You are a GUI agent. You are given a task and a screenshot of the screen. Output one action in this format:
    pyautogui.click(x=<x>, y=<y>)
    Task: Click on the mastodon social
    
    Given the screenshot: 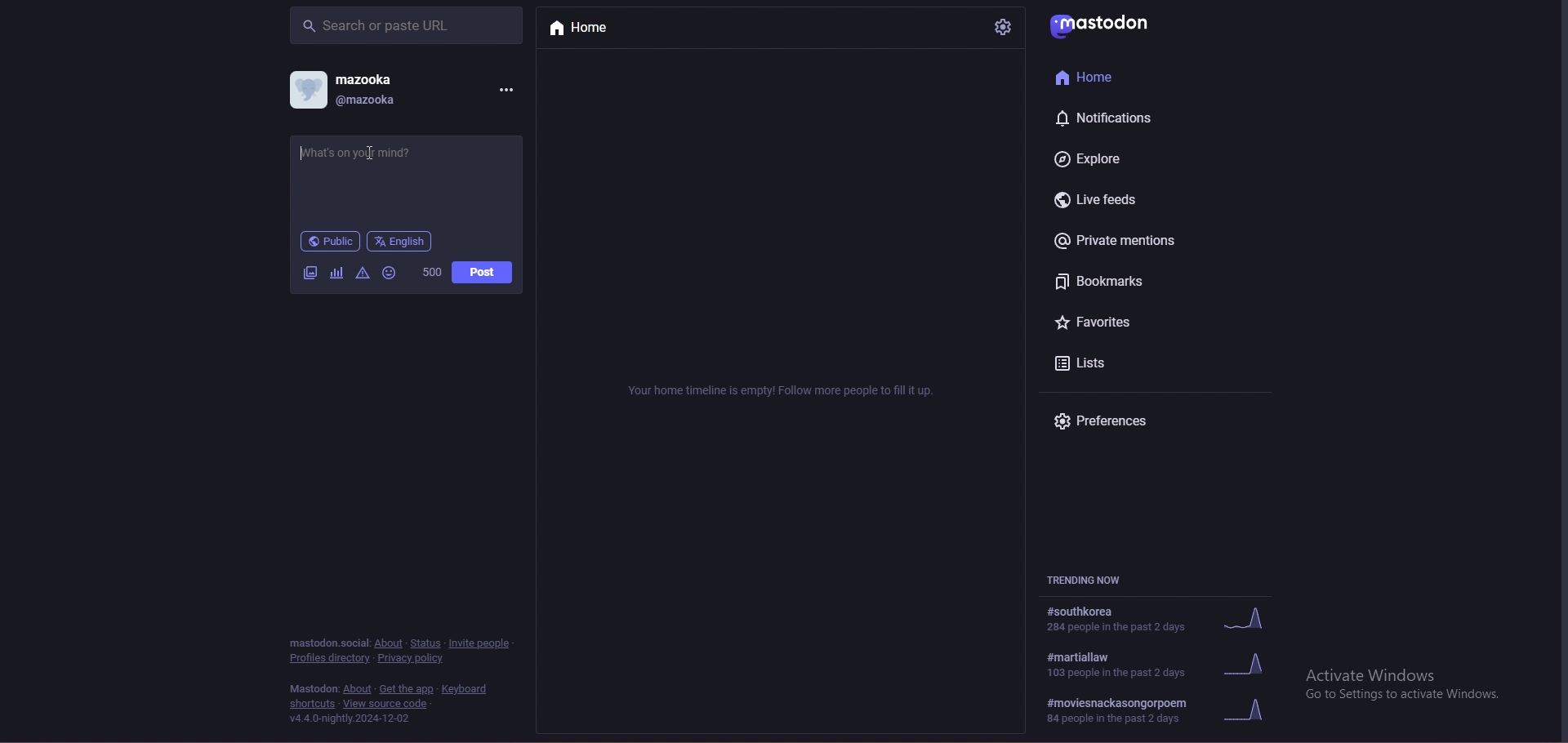 What is the action you would take?
    pyautogui.click(x=327, y=643)
    